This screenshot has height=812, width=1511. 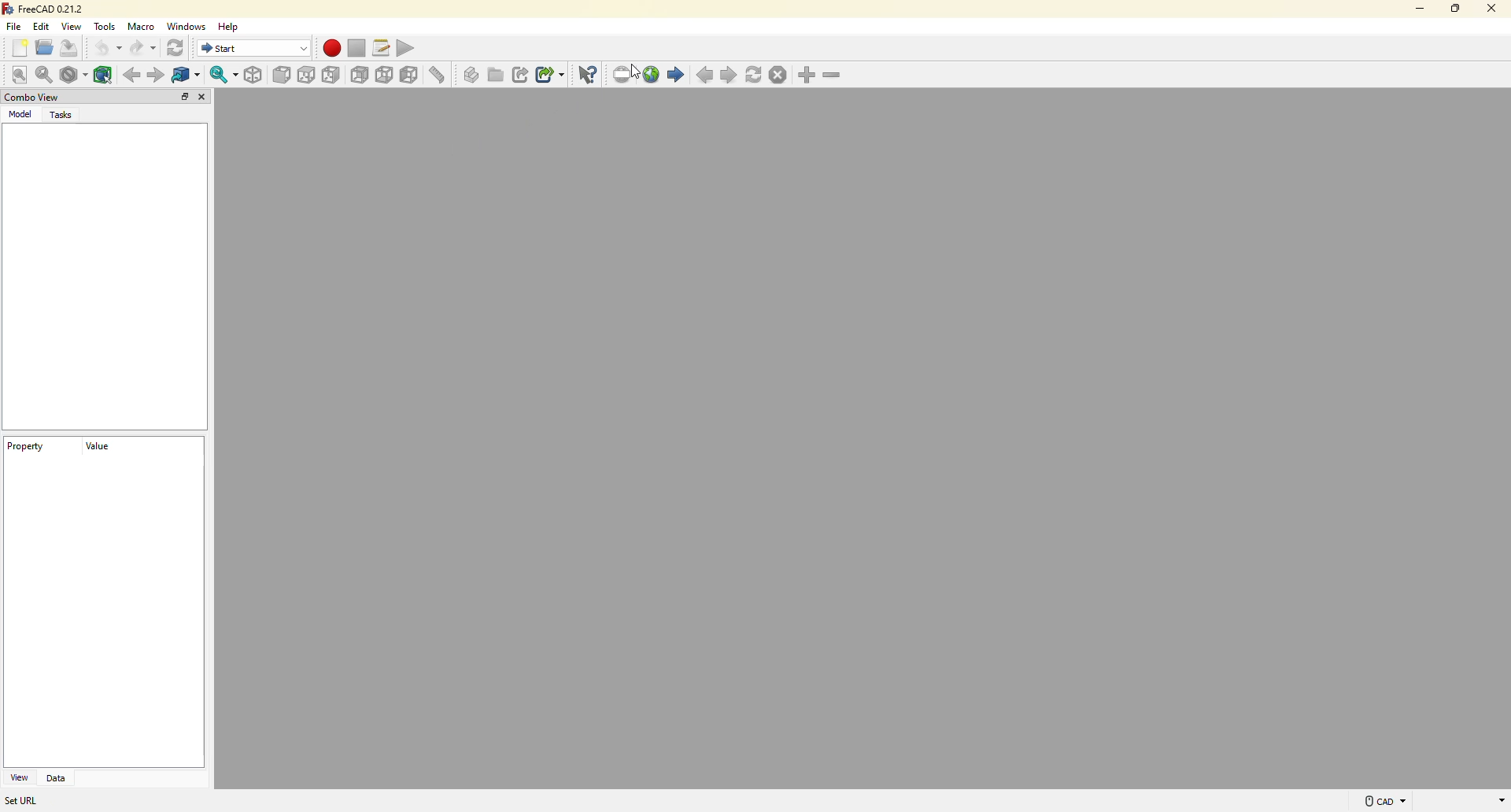 I want to click on go to linked objects, so click(x=190, y=76).